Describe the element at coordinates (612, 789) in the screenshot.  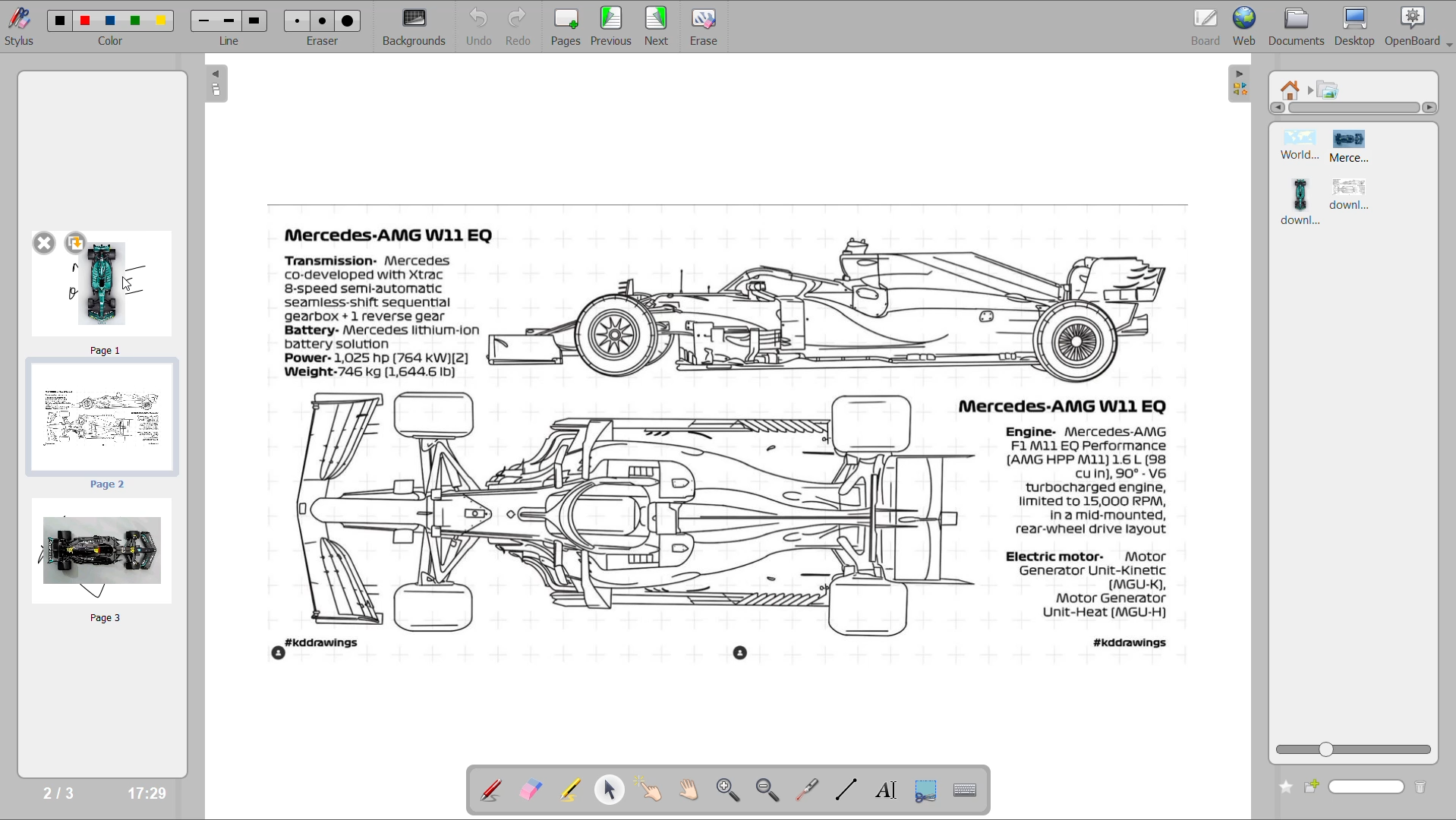
I see `select and modify objects` at that location.